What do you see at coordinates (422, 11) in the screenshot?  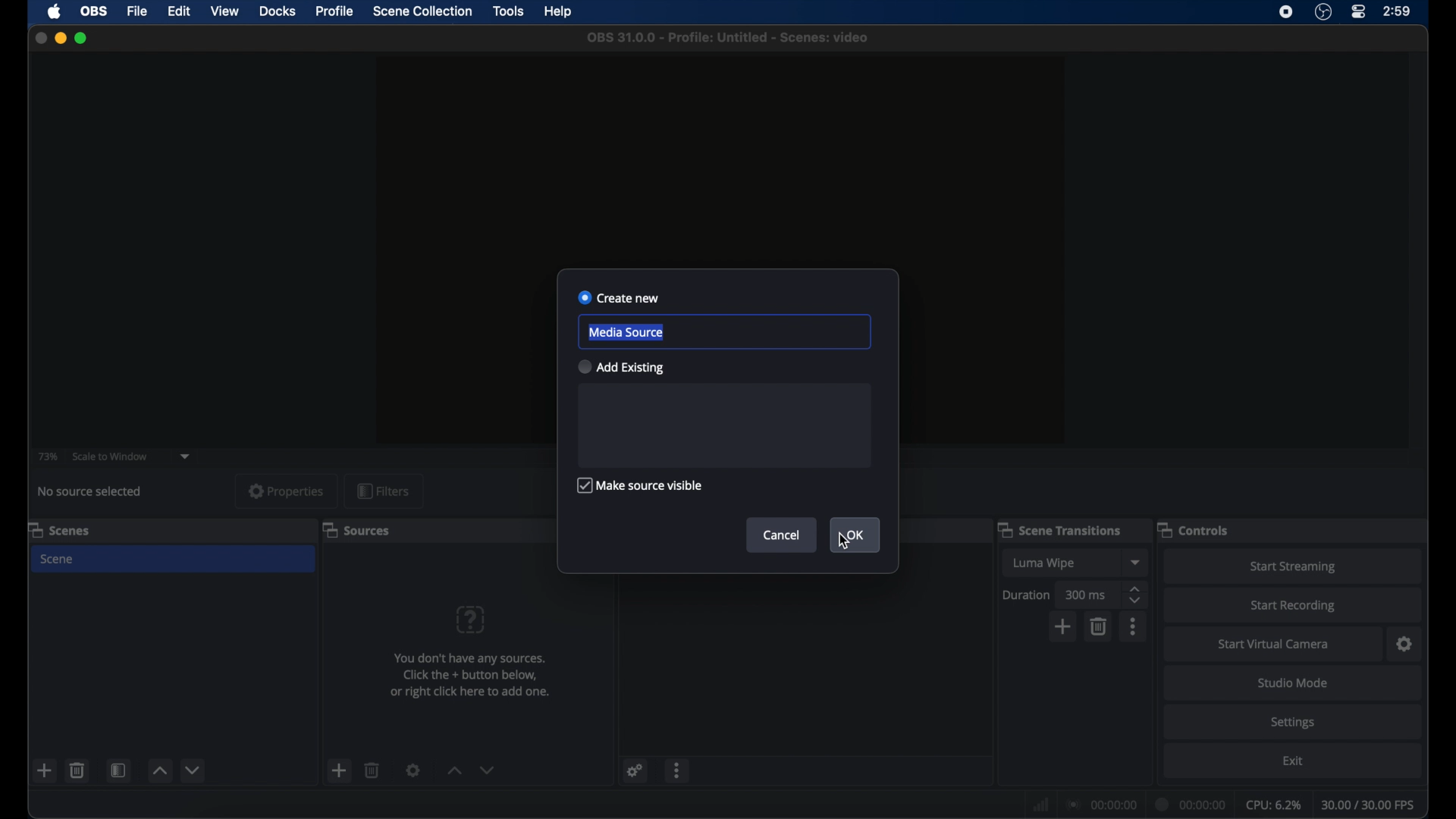 I see `scene collection` at bounding box center [422, 11].